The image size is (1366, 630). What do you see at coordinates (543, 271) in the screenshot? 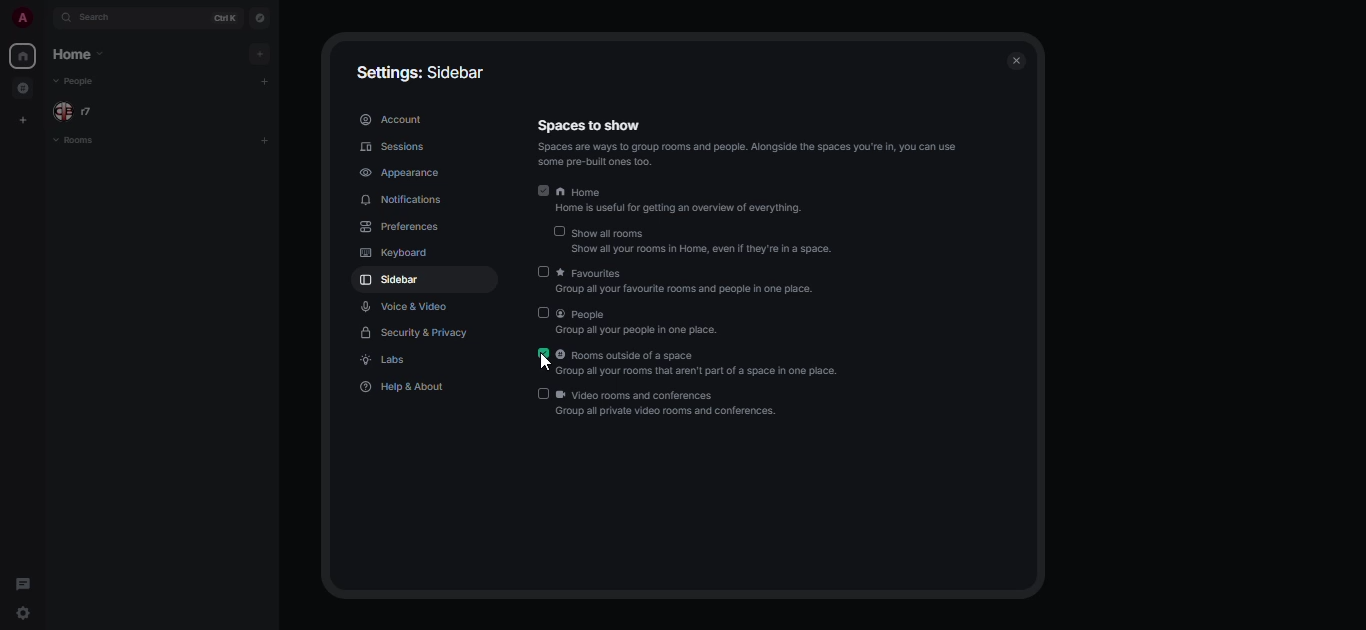
I see `disabled` at bounding box center [543, 271].